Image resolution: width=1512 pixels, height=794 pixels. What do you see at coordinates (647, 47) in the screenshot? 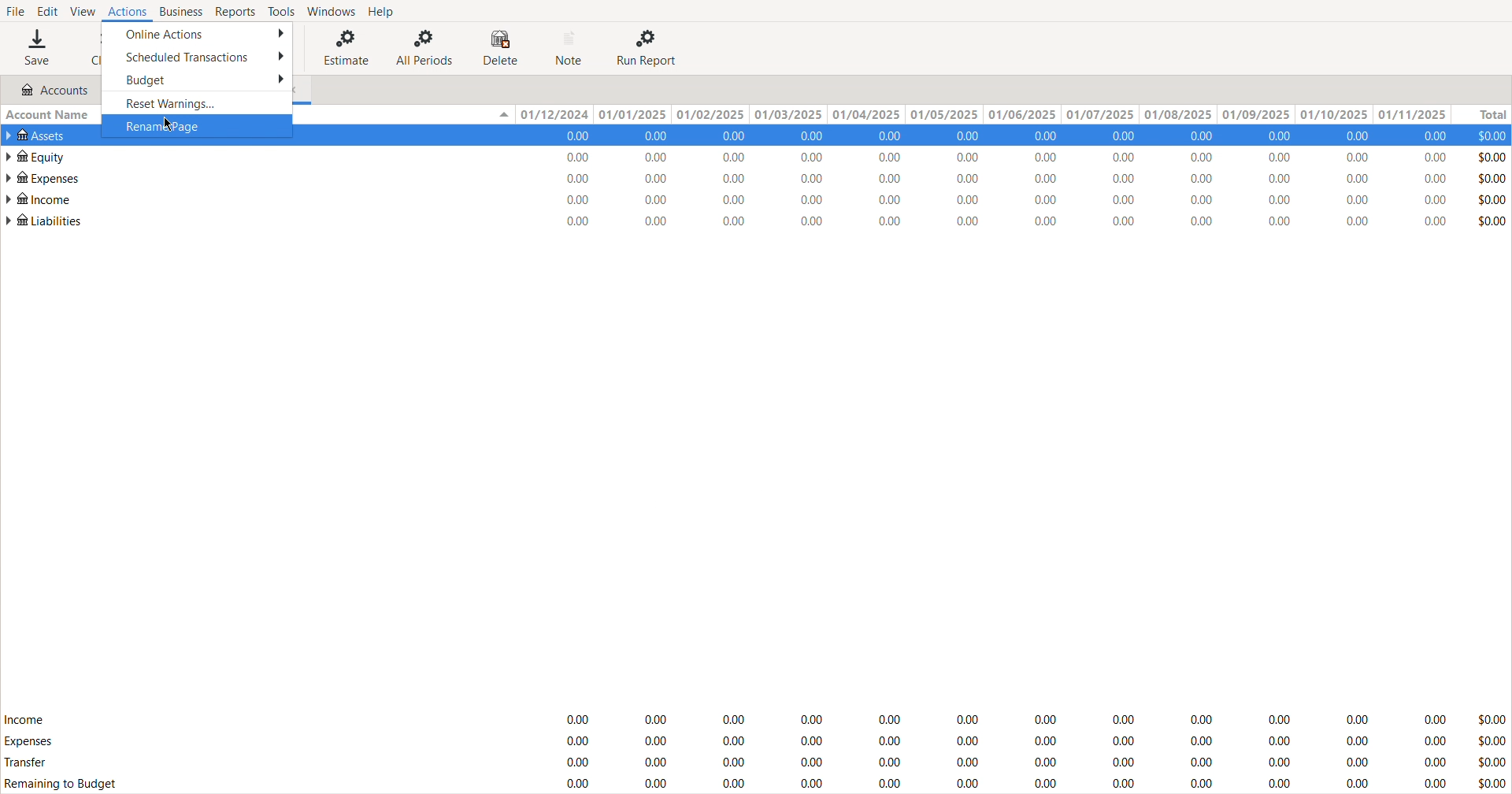
I see `Run Report` at bounding box center [647, 47].